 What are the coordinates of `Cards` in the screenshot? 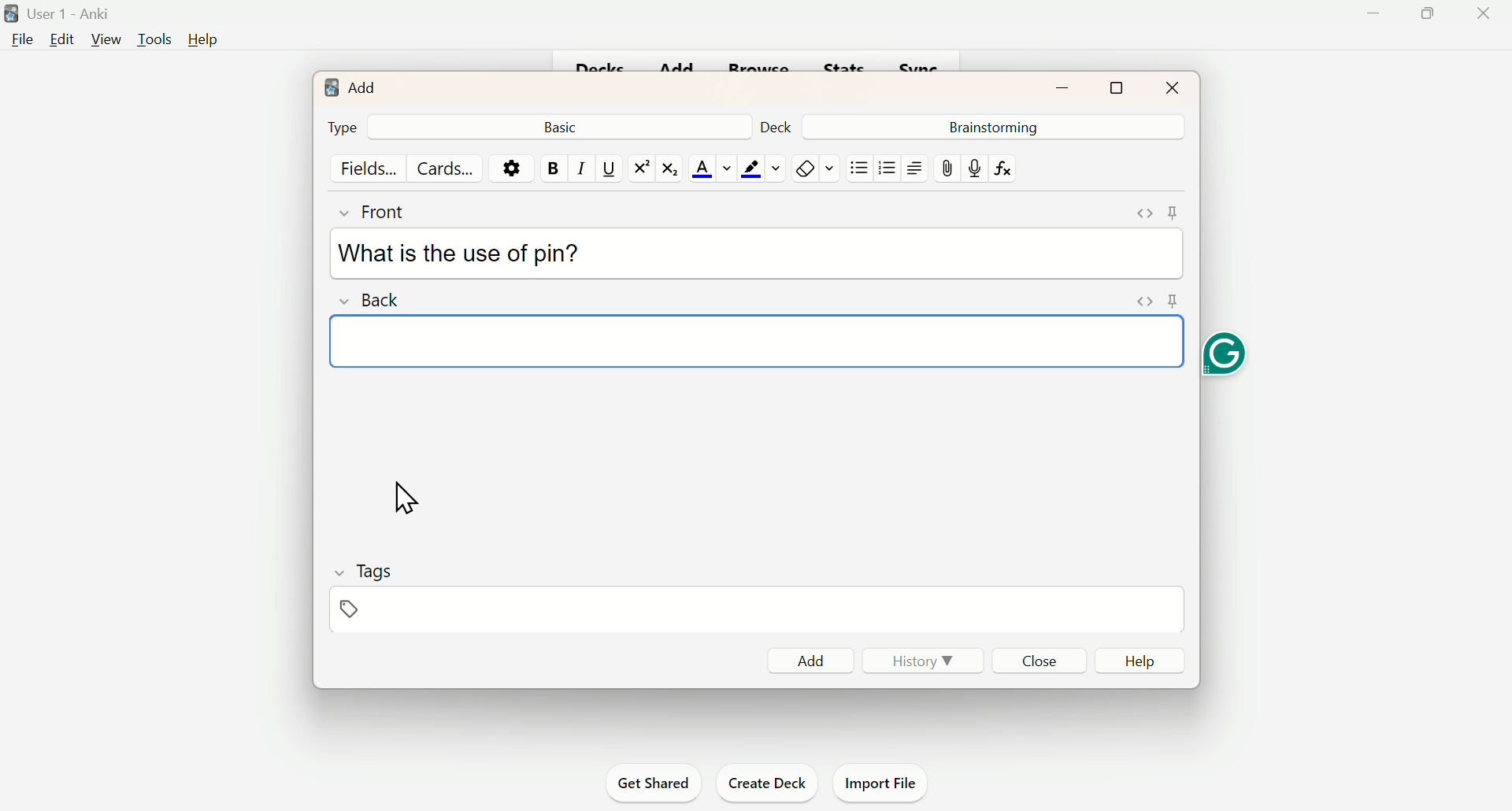 It's located at (445, 168).